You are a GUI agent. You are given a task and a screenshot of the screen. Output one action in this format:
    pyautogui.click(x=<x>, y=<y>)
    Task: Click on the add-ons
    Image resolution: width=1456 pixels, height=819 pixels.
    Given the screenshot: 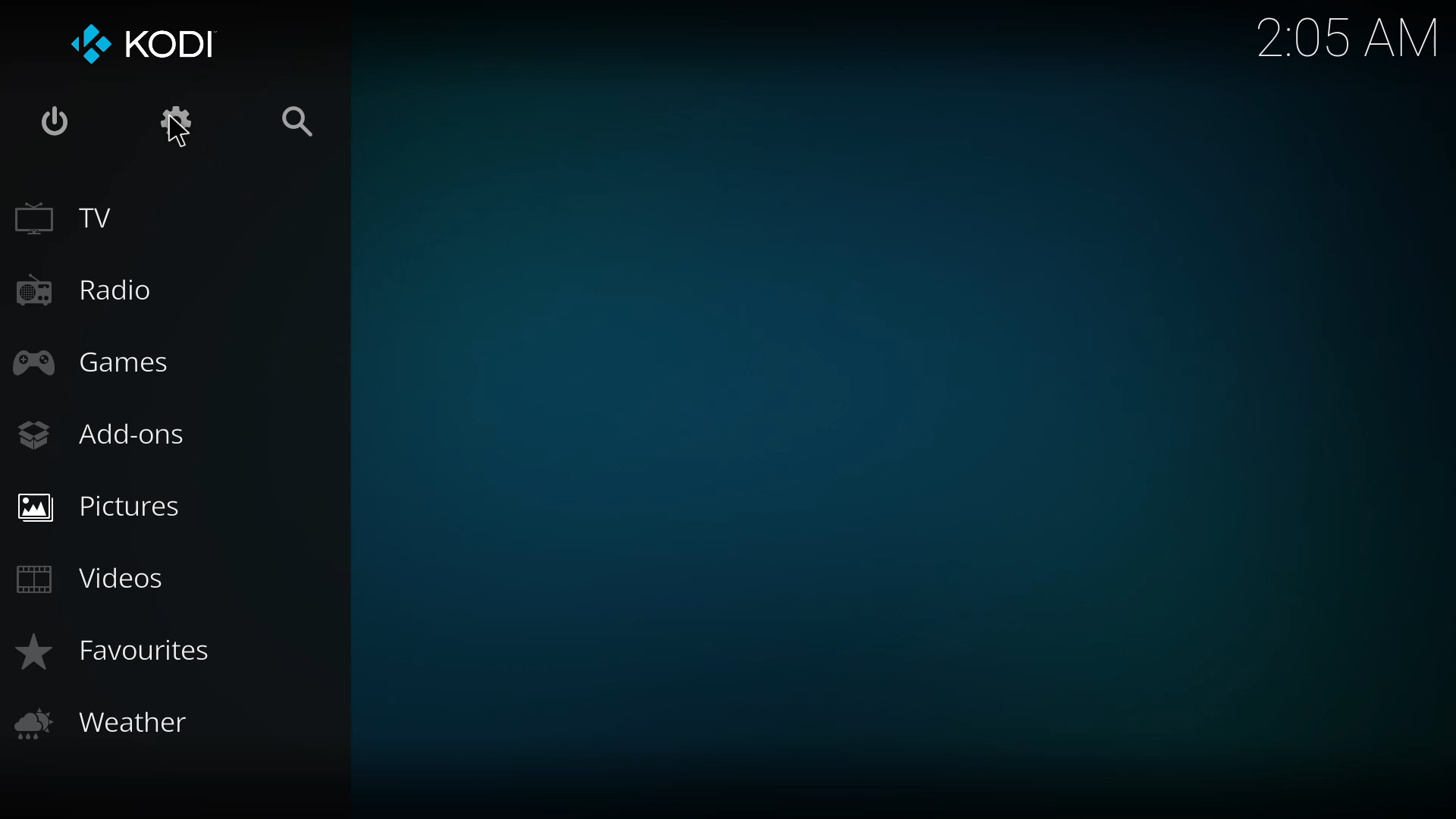 What is the action you would take?
    pyautogui.click(x=103, y=435)
    